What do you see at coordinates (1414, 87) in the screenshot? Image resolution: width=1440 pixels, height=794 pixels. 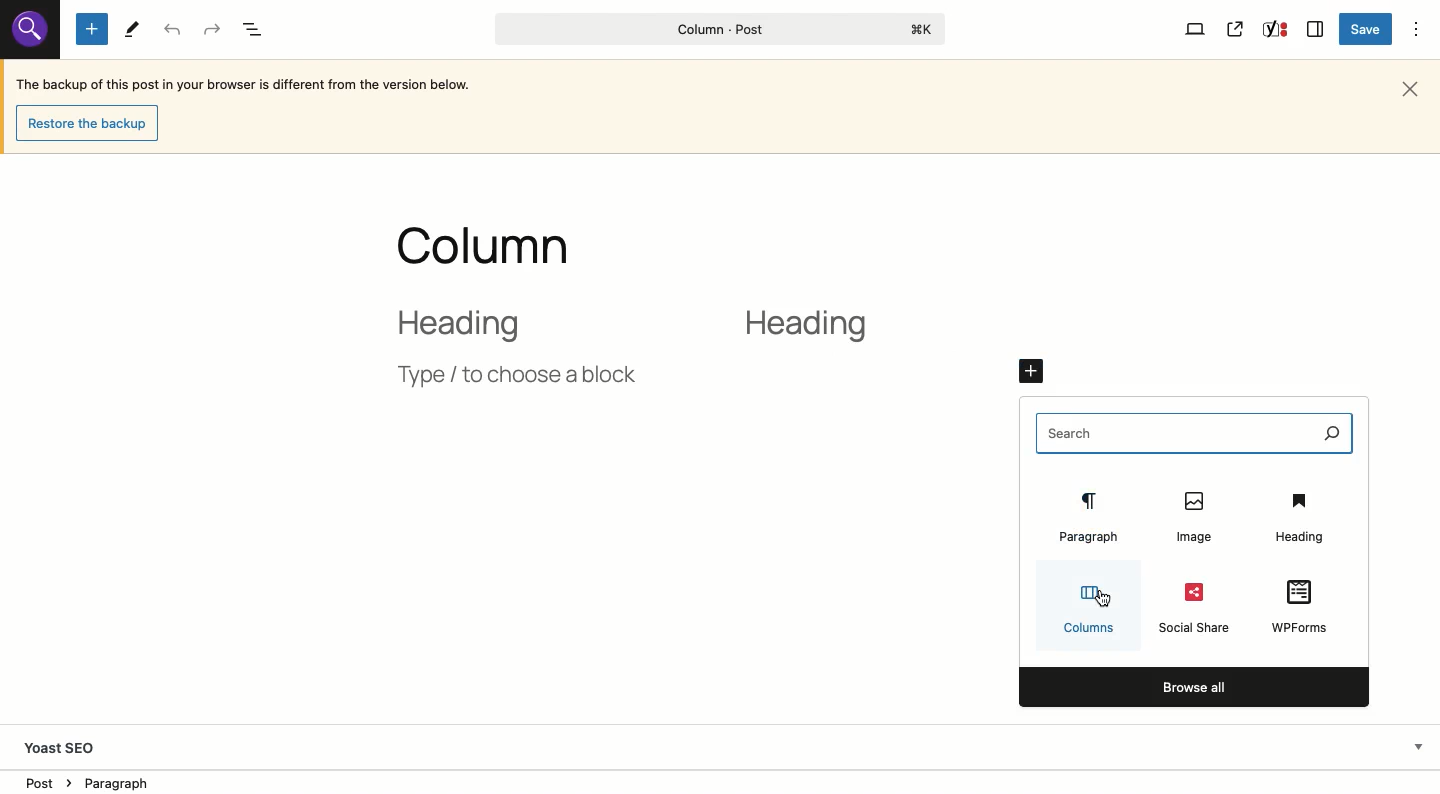 I see `Close` at bounding box center [1414, 87].